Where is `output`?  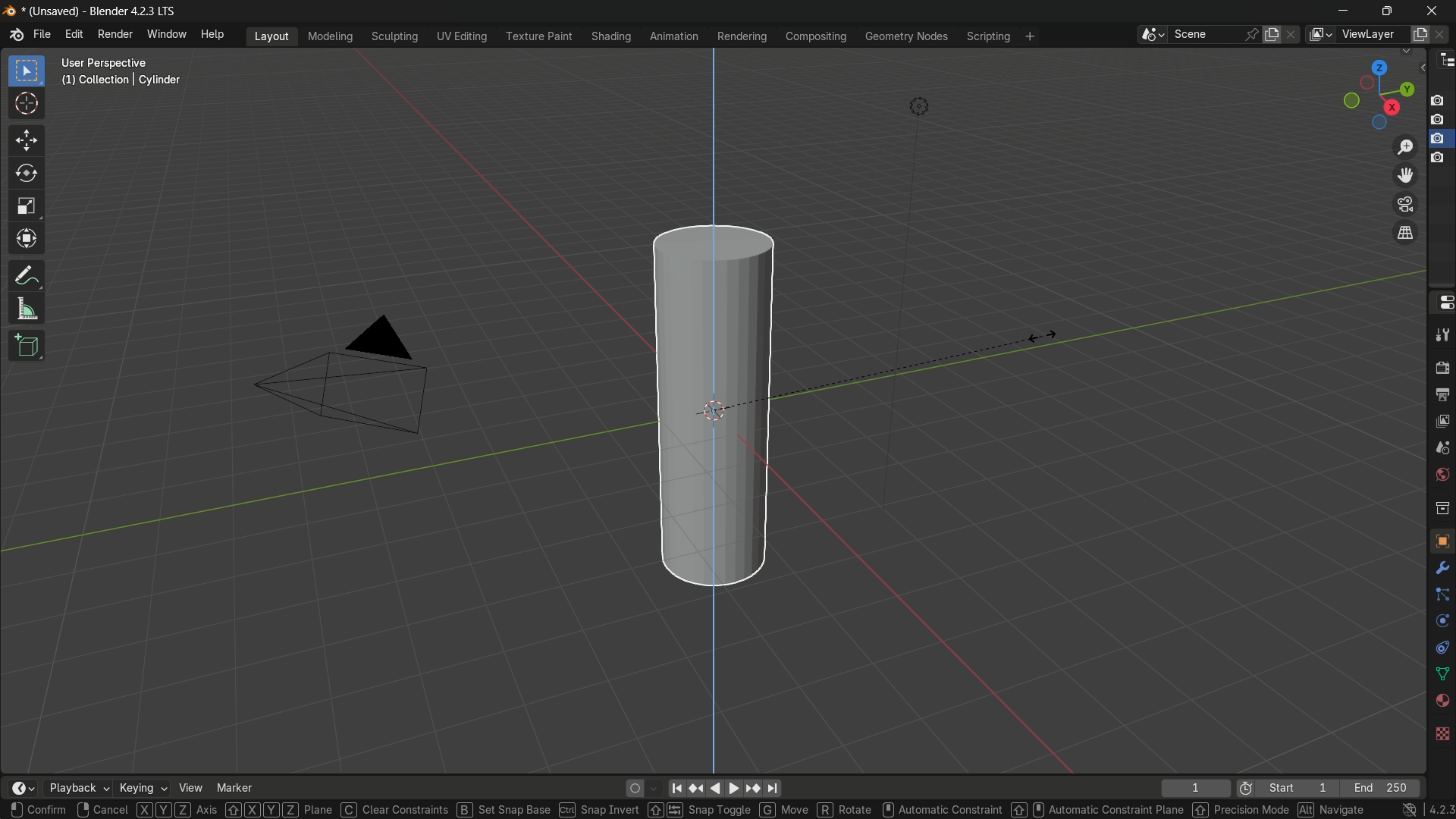 output is located at coordinates (1441, 397).